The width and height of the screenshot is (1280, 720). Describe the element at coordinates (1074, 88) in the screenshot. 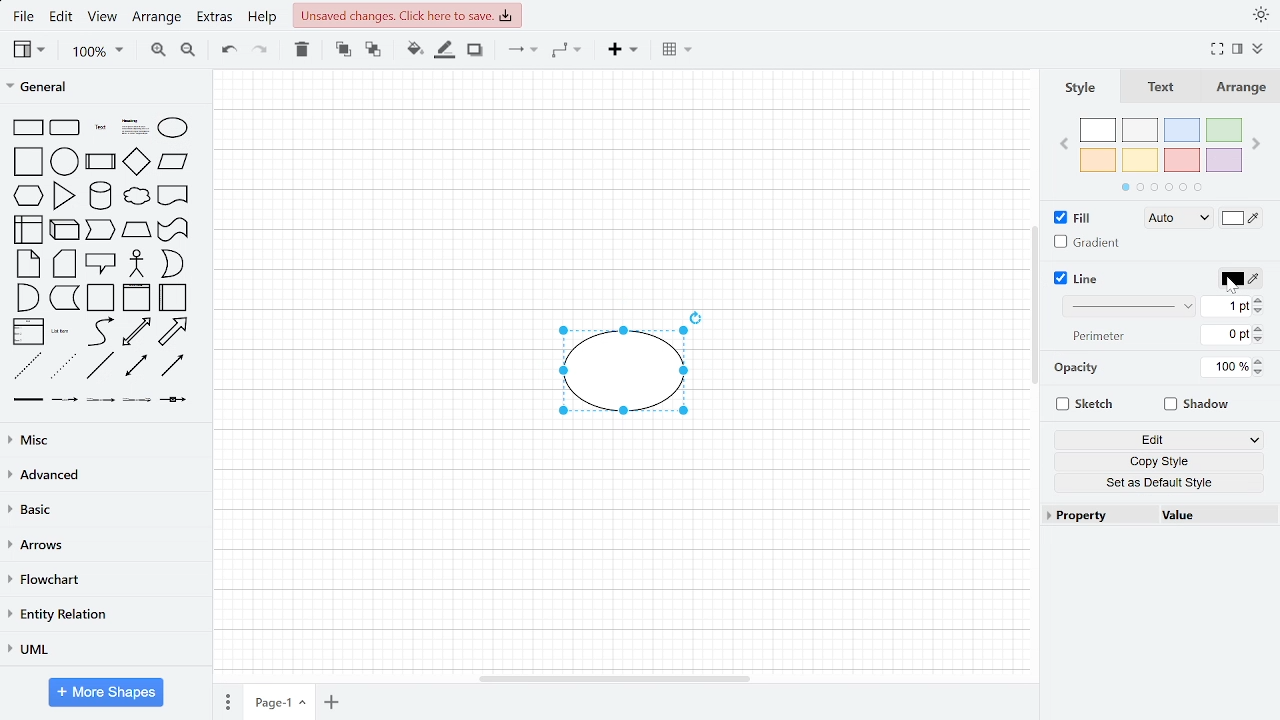

I see `Style` at that location.